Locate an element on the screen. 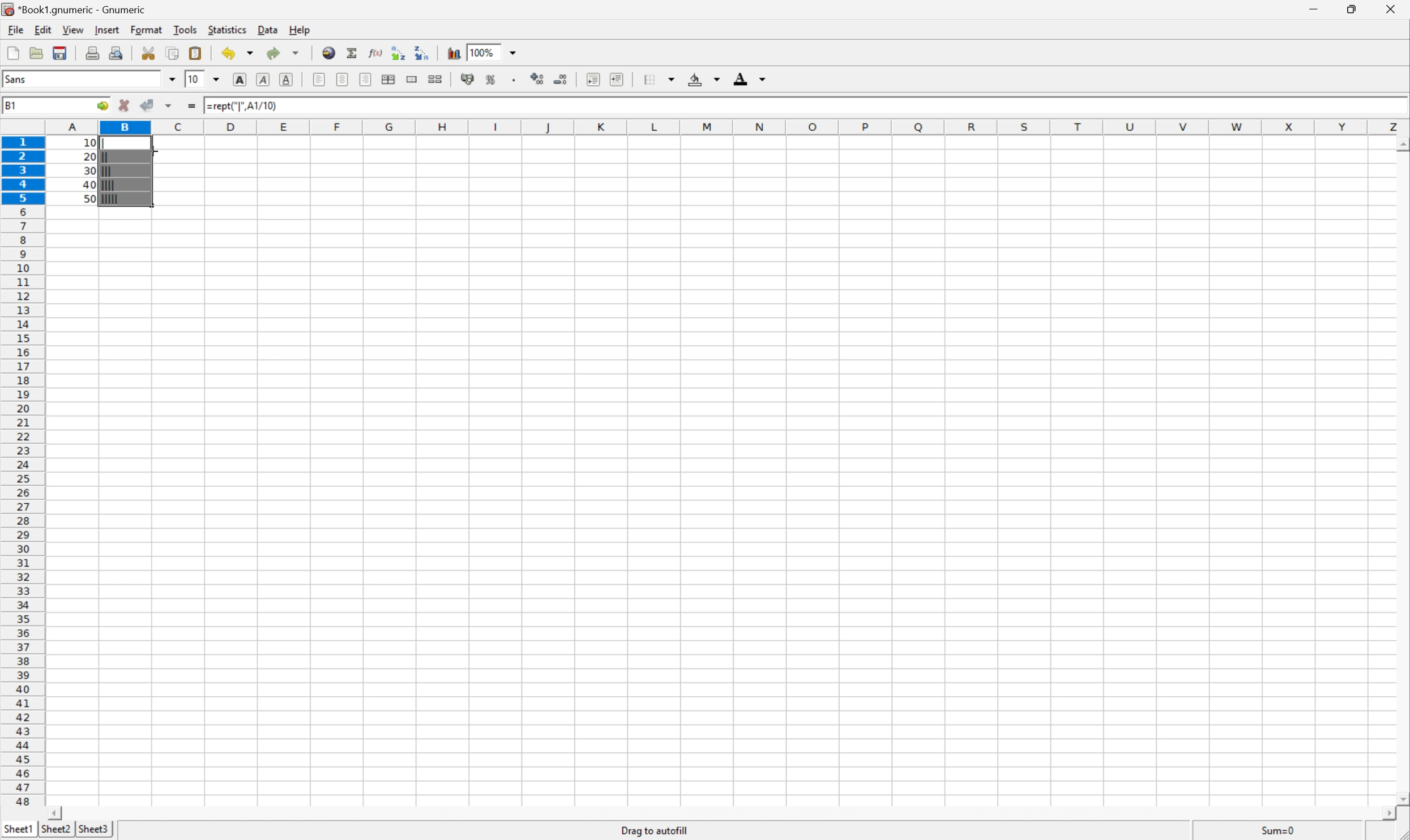 The image size is (1410, 840). Cursor is located at coordinates (152, 148).